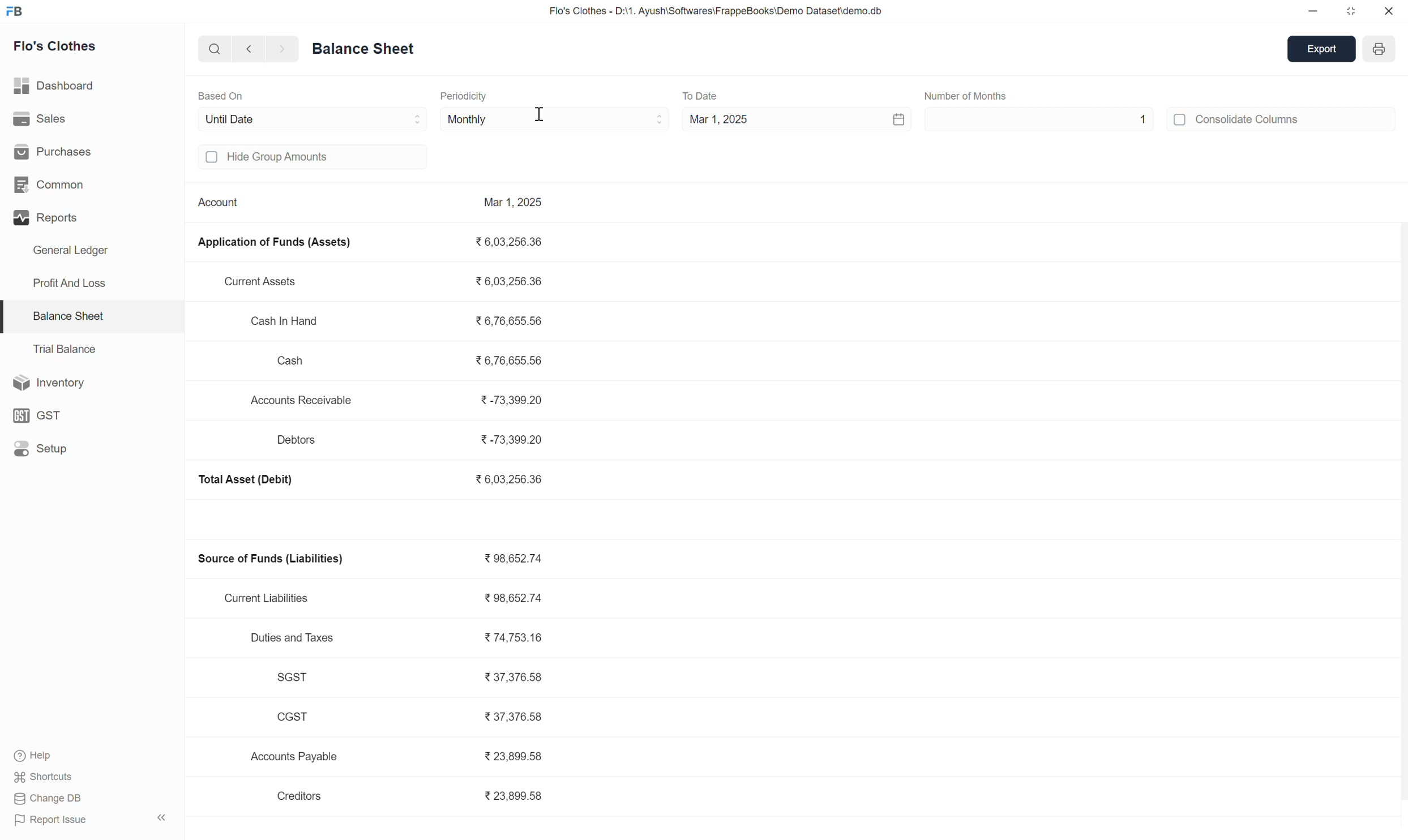  What do you see at coordinates (795, 121) in the screenshot?
I see `Mar 1, 2025 ` at bounding box center [795, 121].